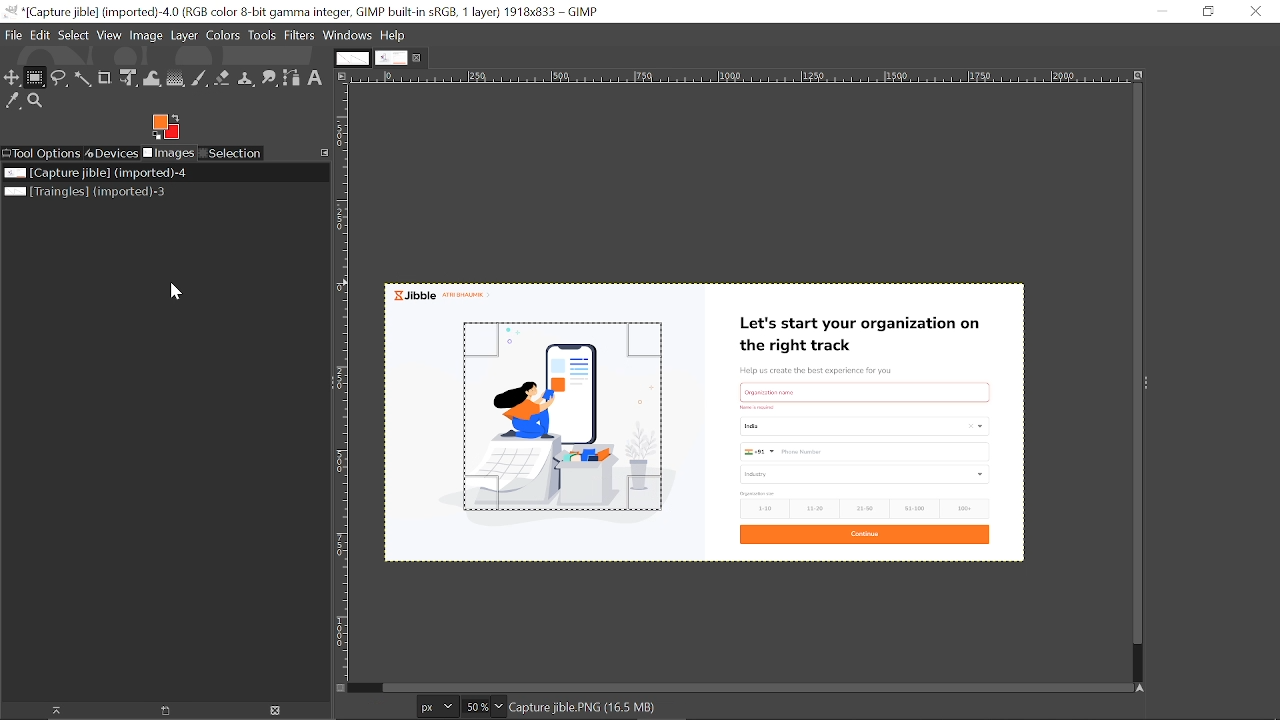 The image size is (1280, 720). I want to click on Select, so click(74, 35).